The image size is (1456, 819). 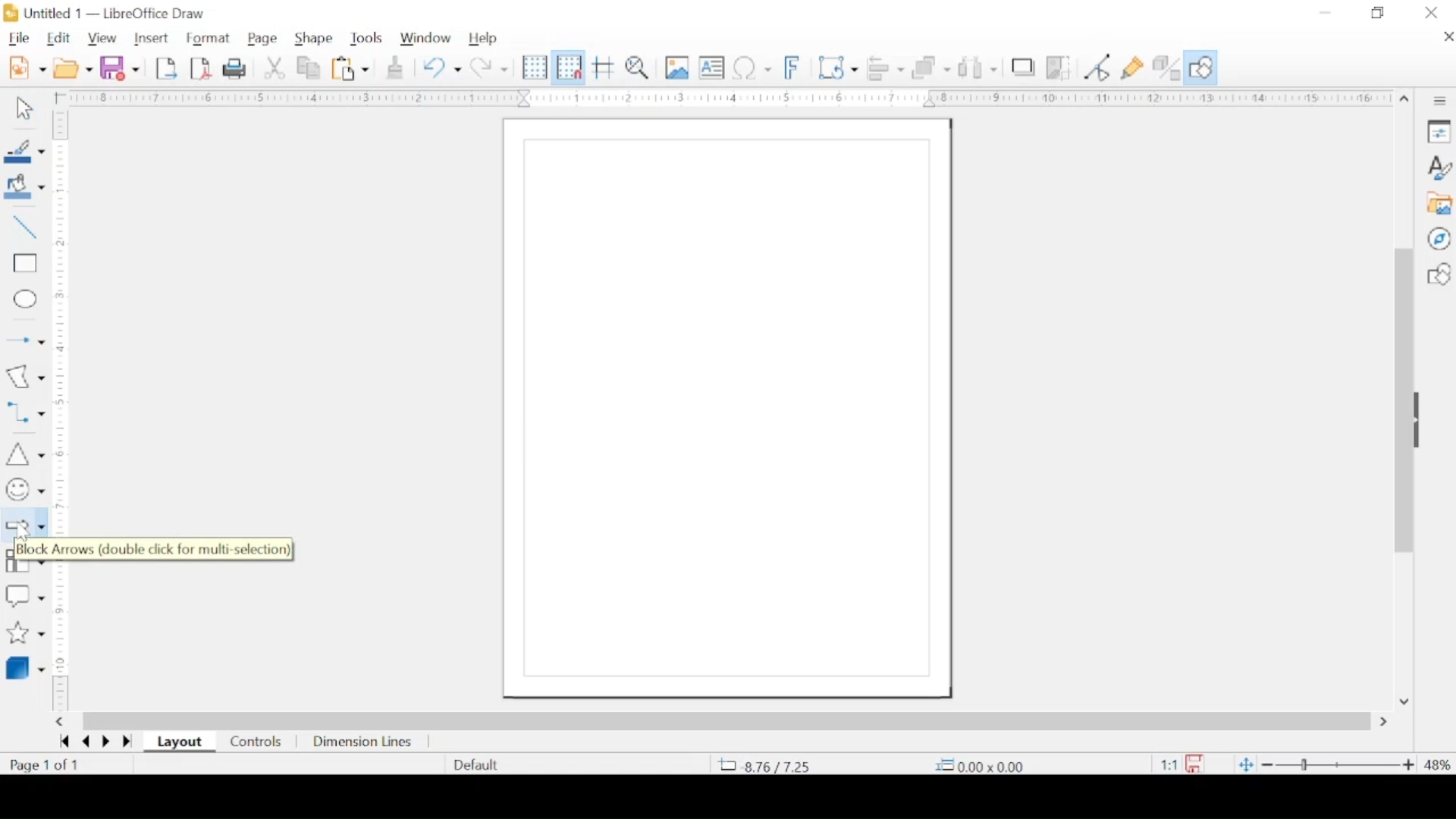 What do you see at coordinates (442, 67) in the screenshot?
I see `undo` at bounding box center [442, 67].